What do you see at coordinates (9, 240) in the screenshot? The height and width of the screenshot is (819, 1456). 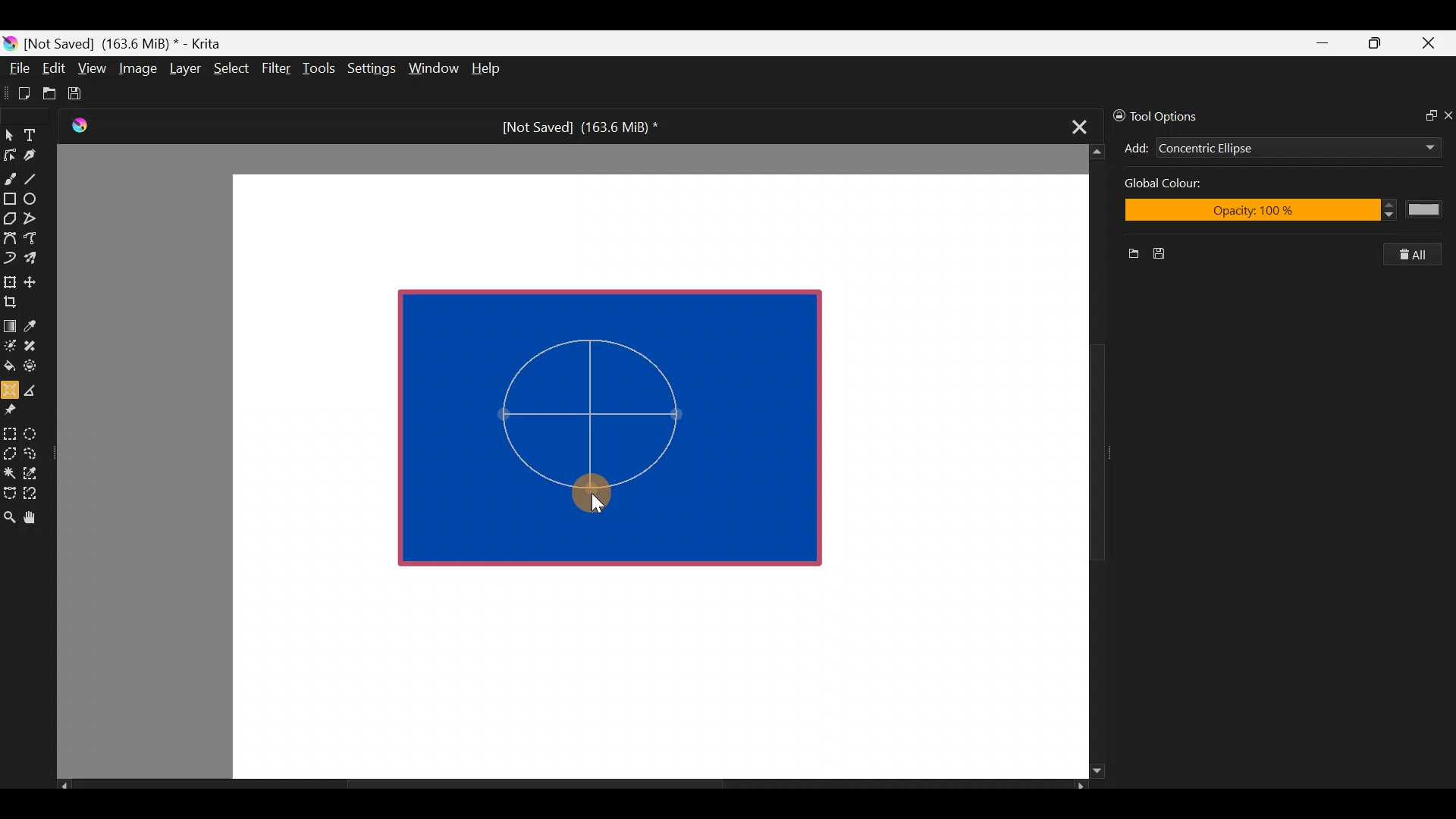 I see `Bezier curve tool` at bounding box center [9, 240].